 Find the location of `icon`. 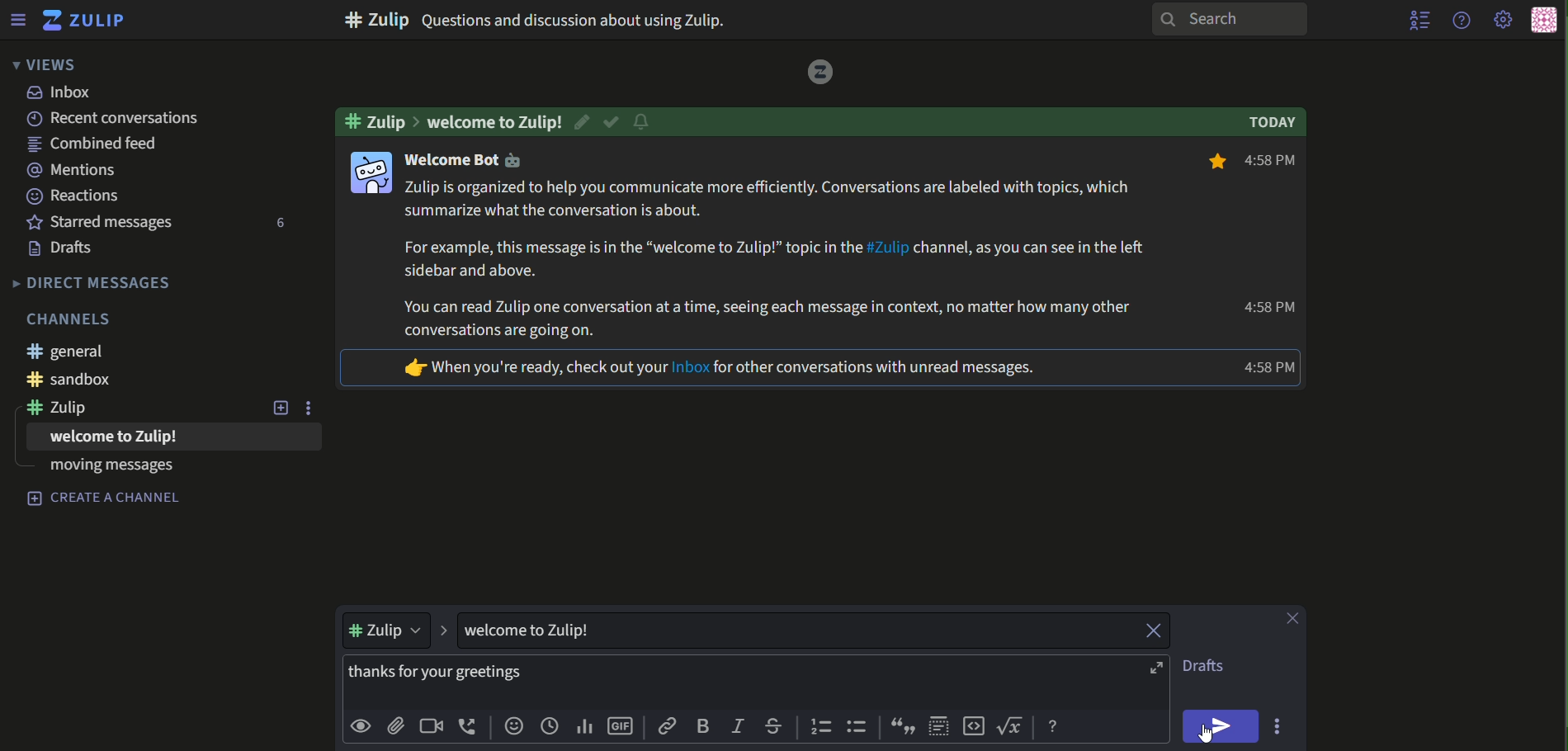

icon is located at coordinates (370, 172).